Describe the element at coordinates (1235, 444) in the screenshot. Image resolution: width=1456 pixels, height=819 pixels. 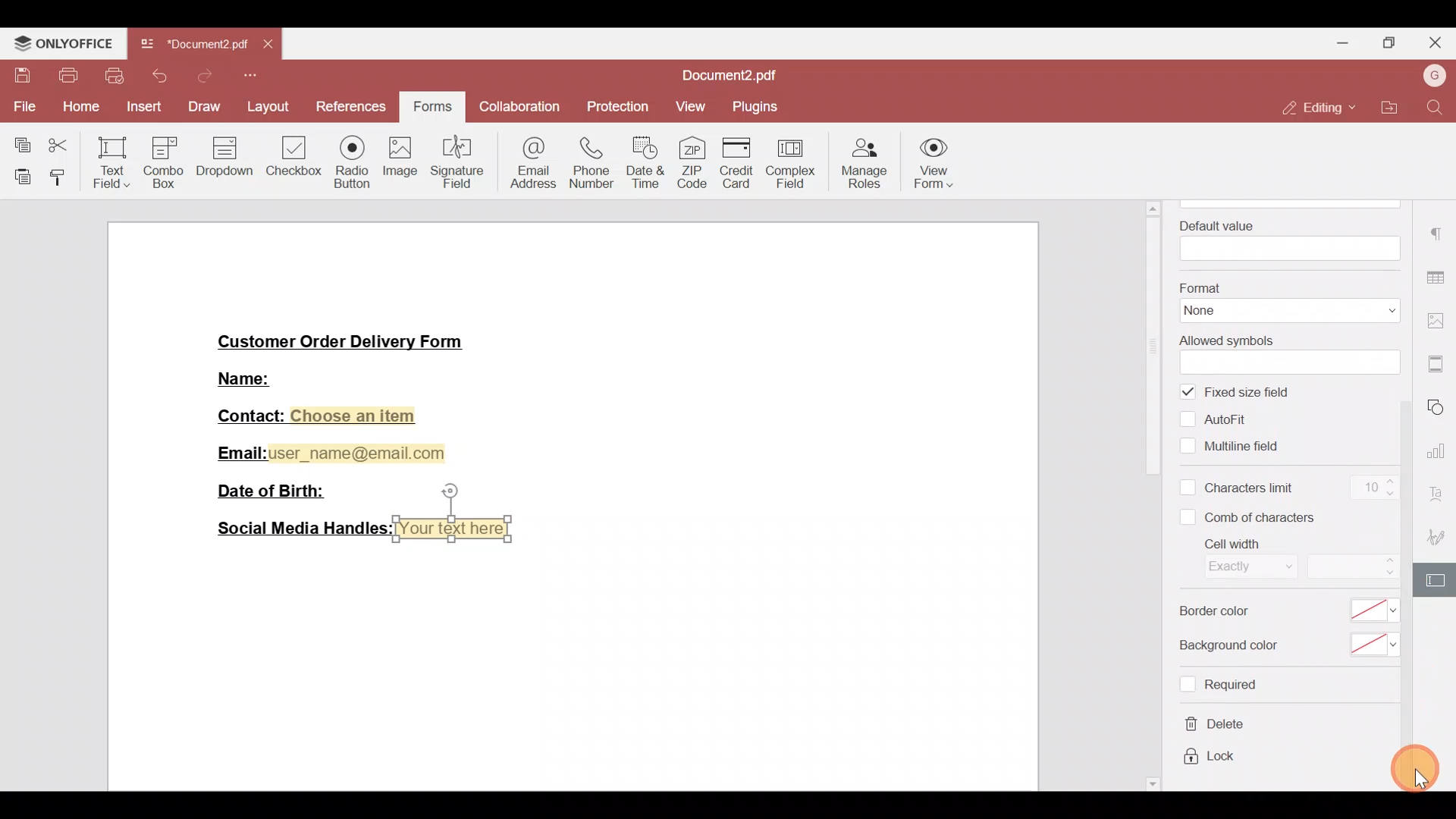
I see `Multiline field` at that location.